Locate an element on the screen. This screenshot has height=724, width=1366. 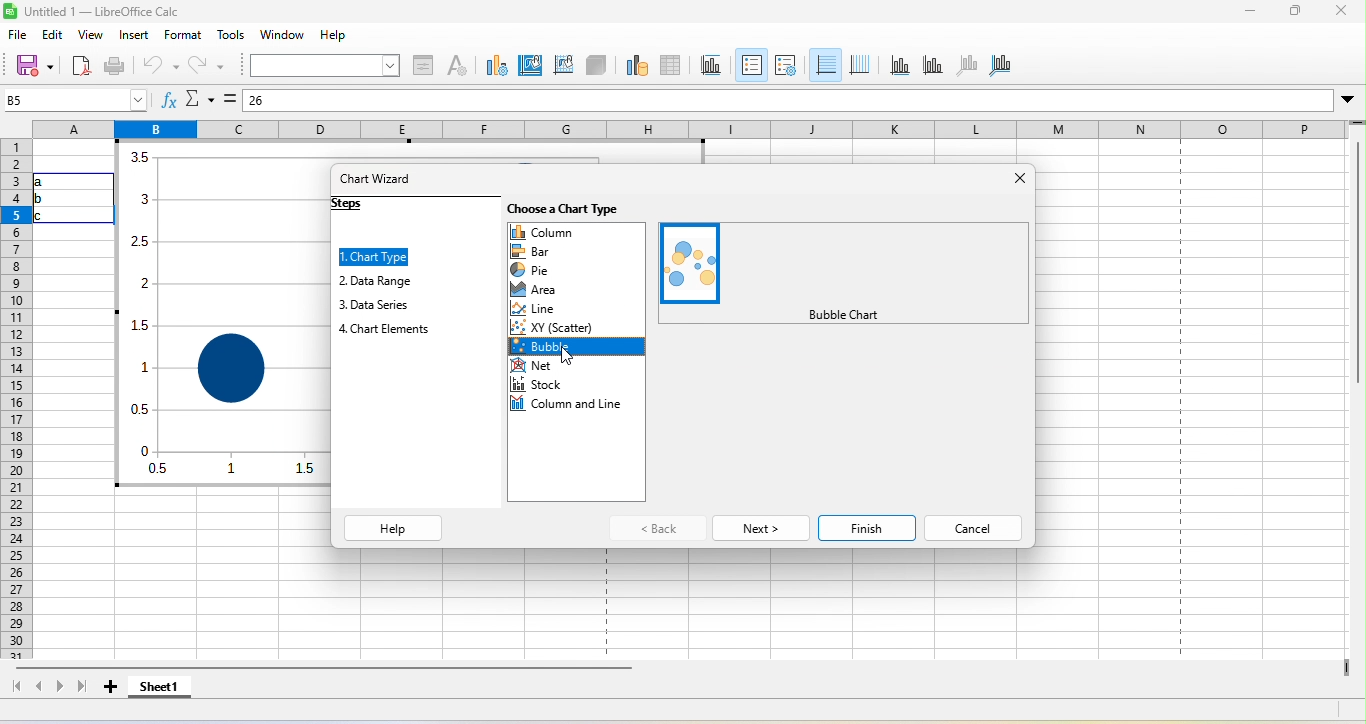
a is located at coordinates (51, 182).